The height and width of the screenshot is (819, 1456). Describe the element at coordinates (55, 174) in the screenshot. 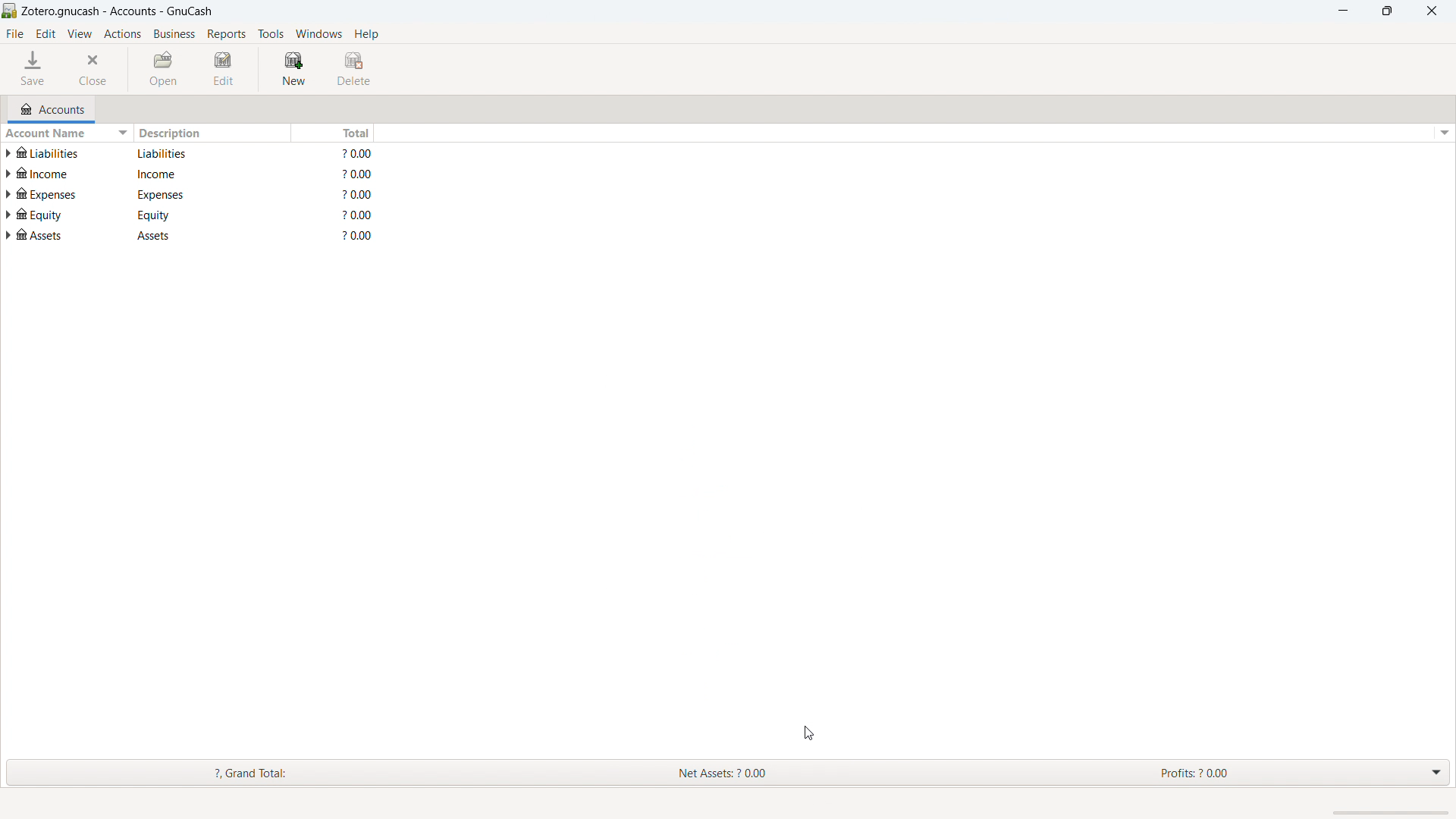

I see `account name` at that location.